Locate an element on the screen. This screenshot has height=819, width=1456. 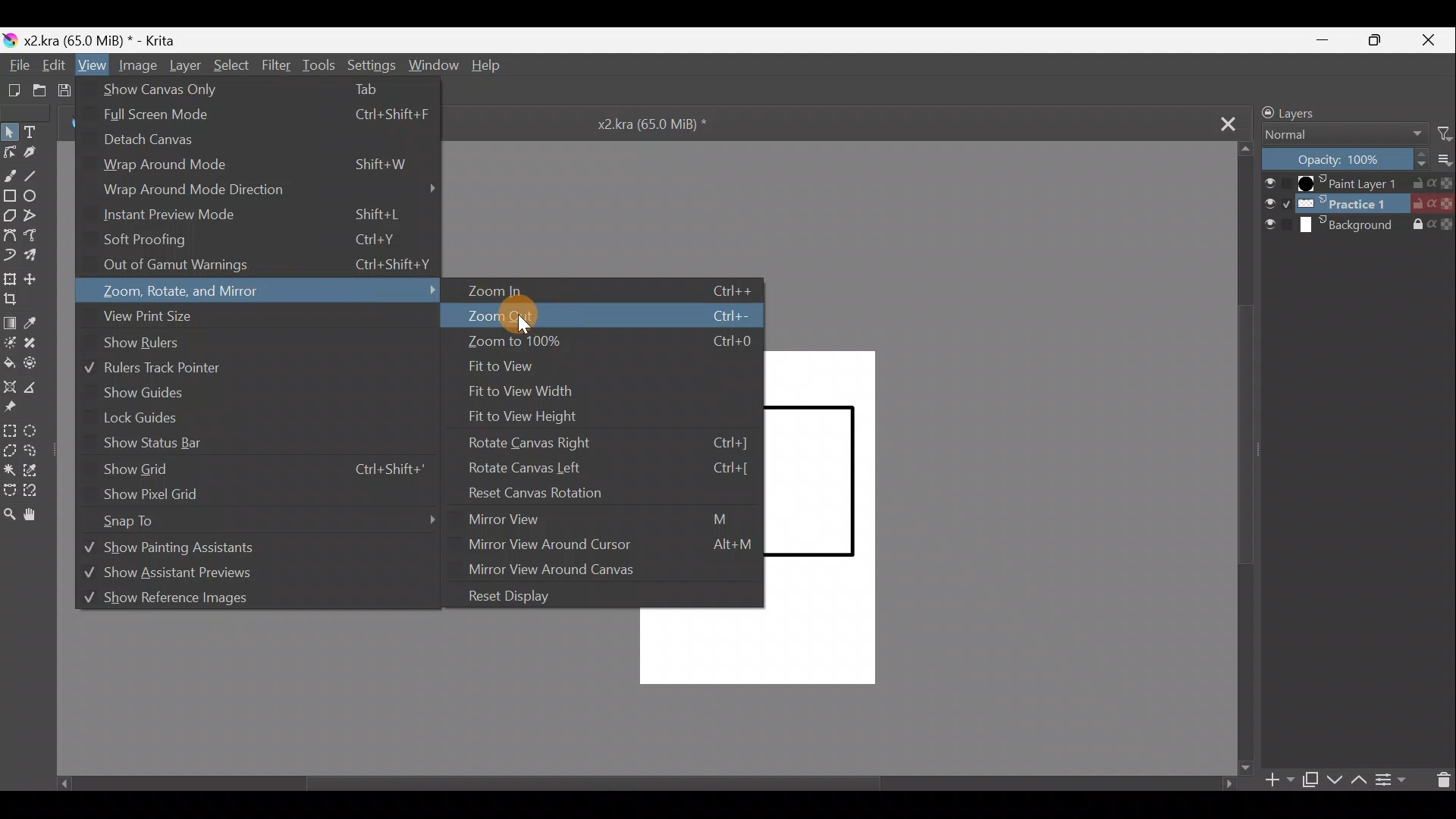
View/change layer properties is located at coordinates (1392, 777).